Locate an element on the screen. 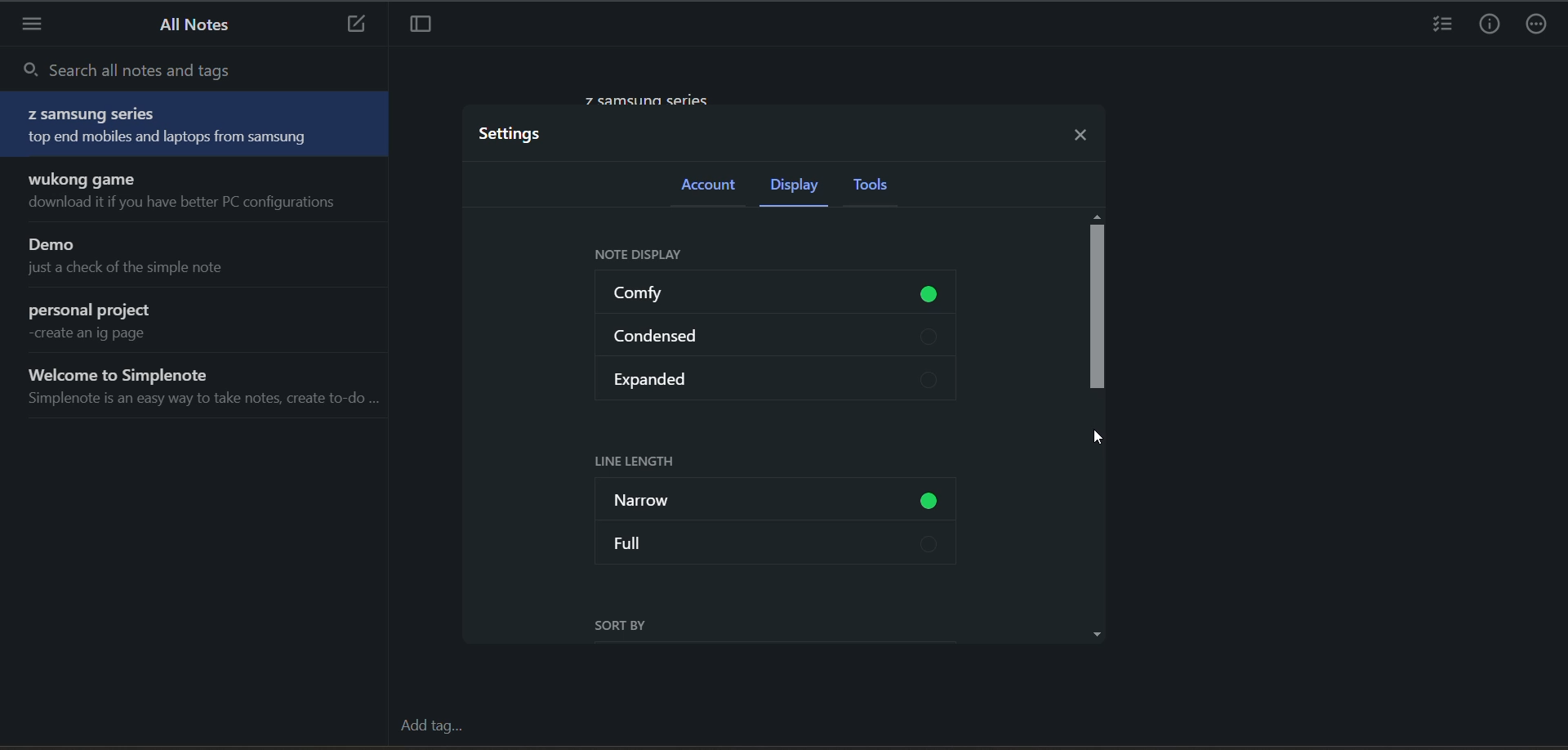  personal project create an ig page is located at coordinates (199, 323).